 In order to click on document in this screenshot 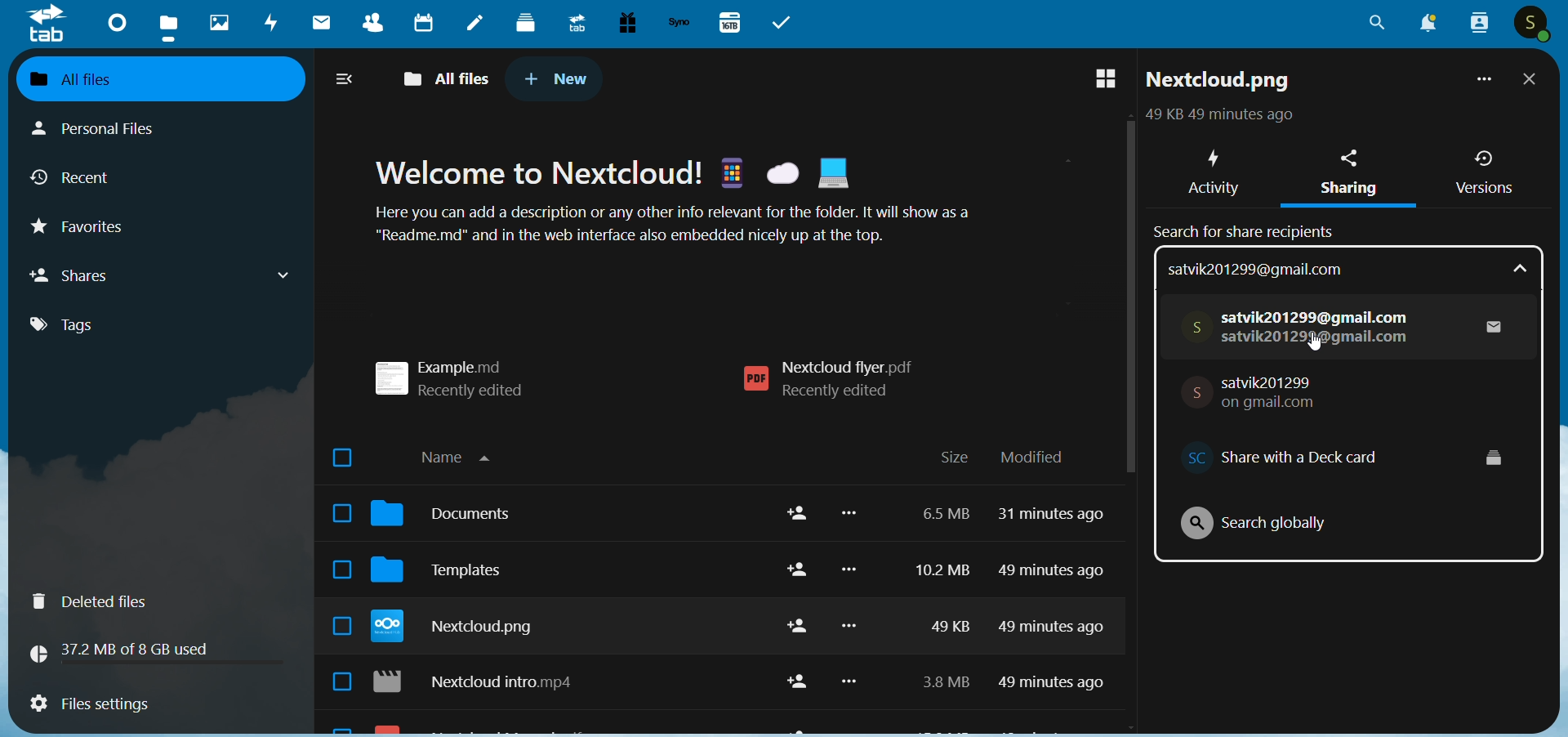, I will do `click(452, 518)`.